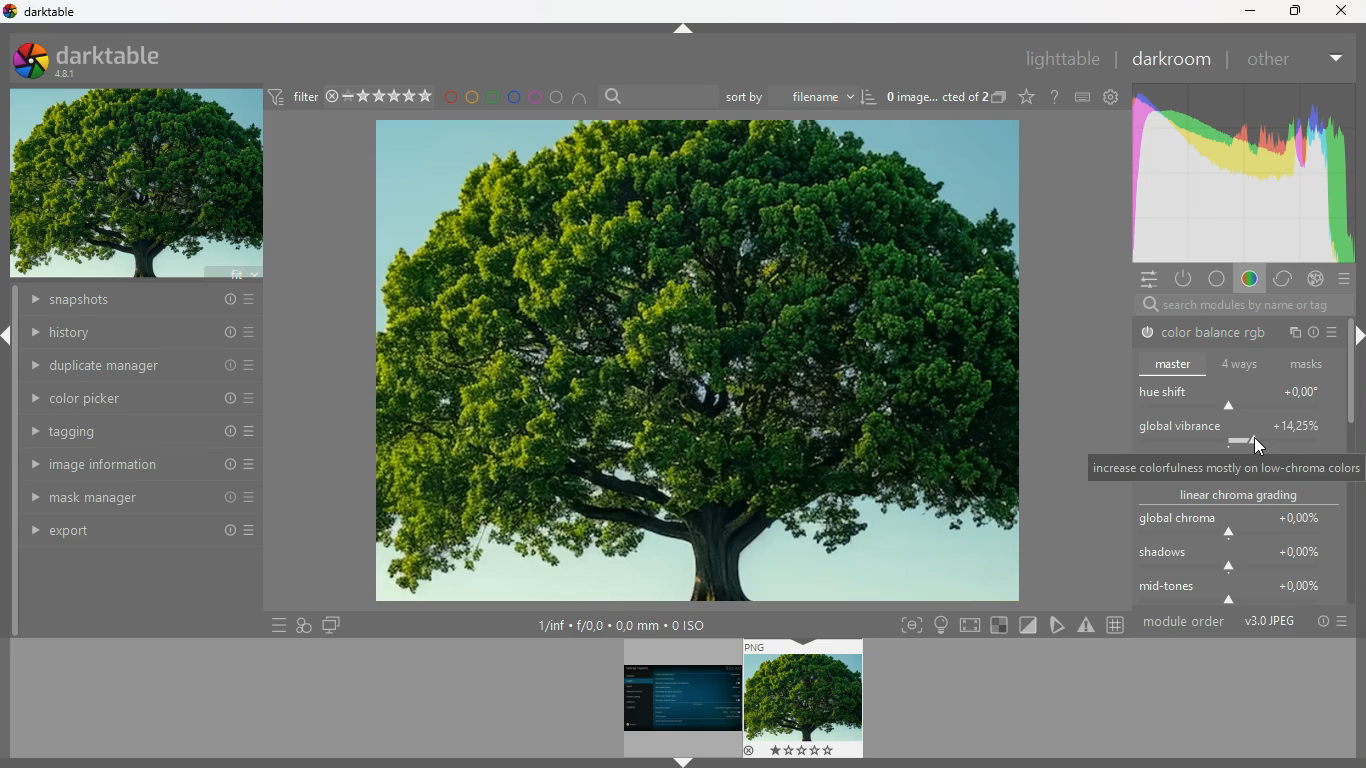 Image resolution: width=1366 pixels, height=768 pixels. What do you see at coordinates (941, 625) in the screenshot?
I see `light` at bounding box center [941, 625].